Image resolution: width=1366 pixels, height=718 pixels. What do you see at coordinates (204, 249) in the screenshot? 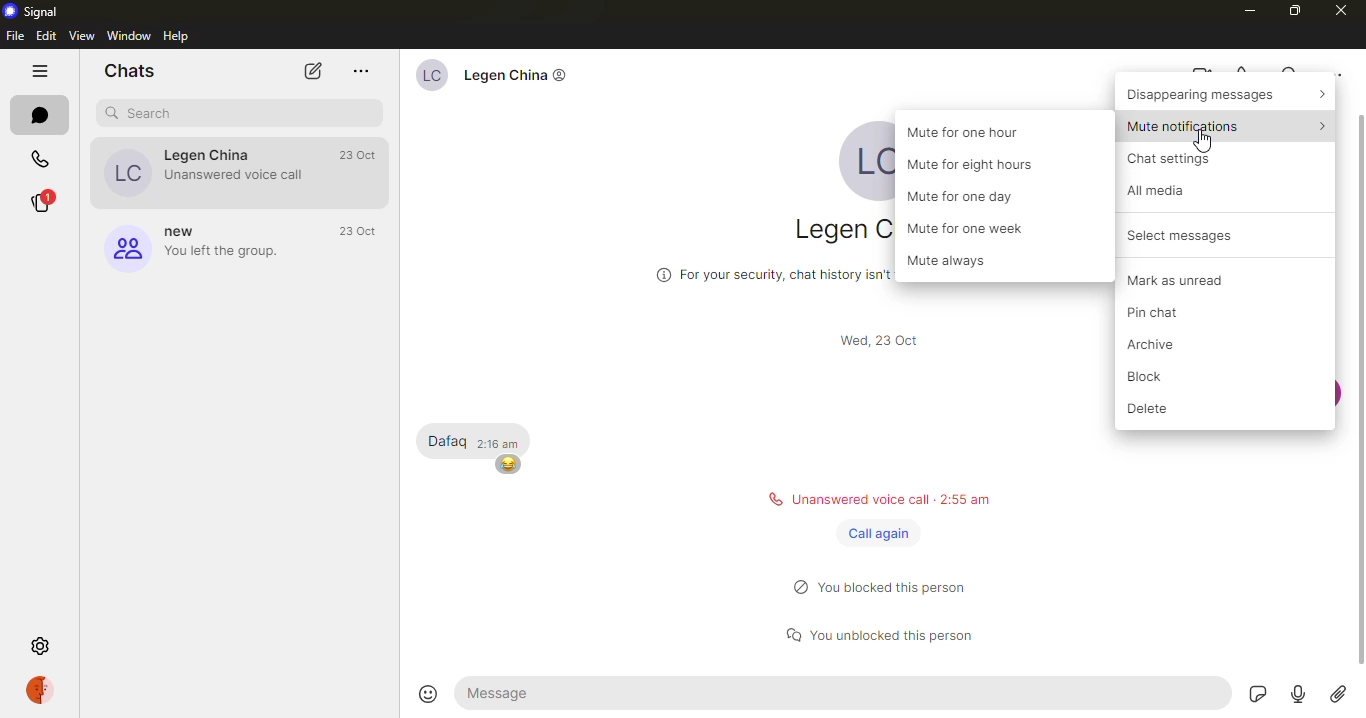
I see `group` at bounding box center [204, 249].